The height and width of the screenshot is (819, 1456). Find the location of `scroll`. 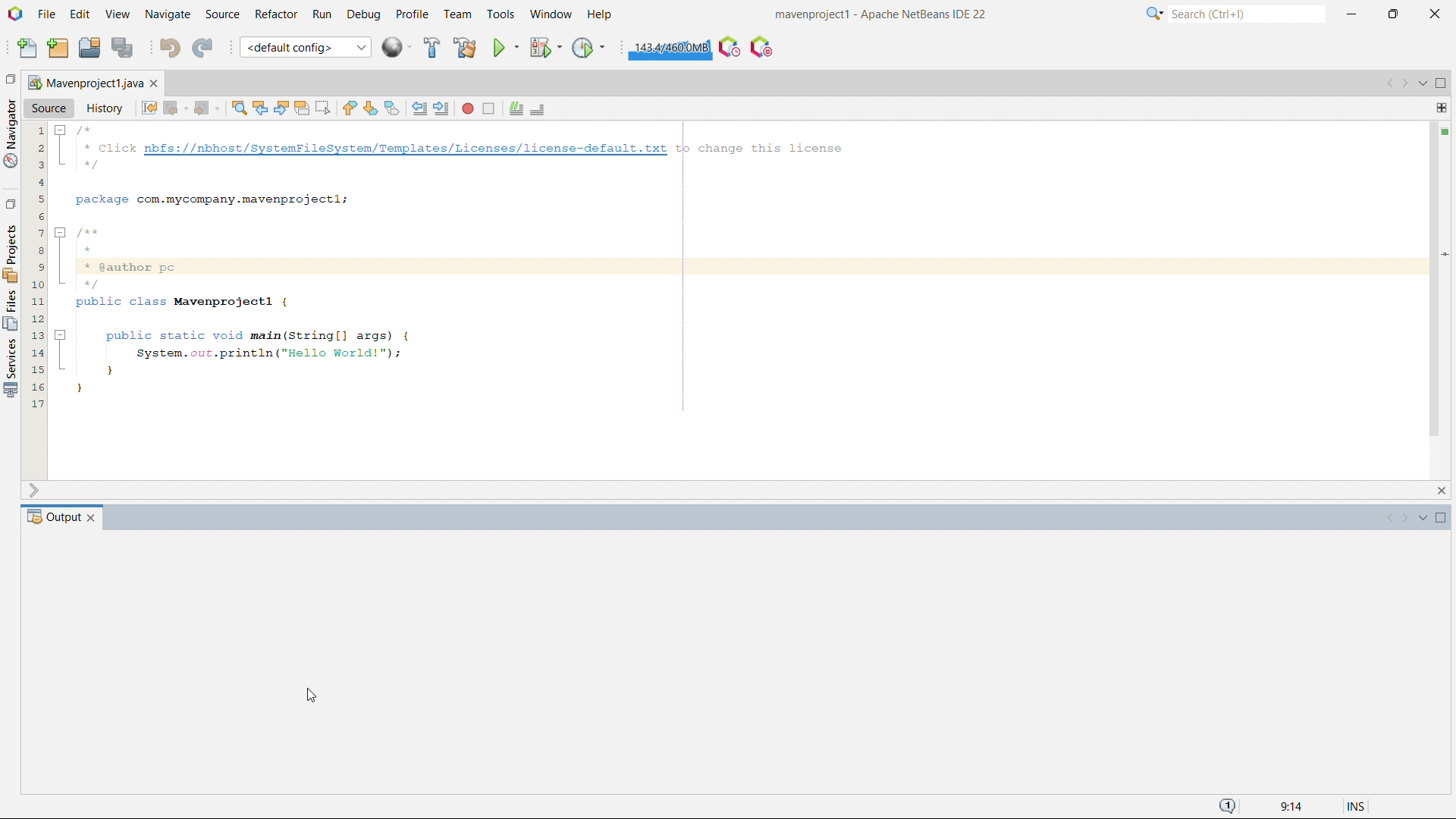

scroll is located at coordinates (33, 785).